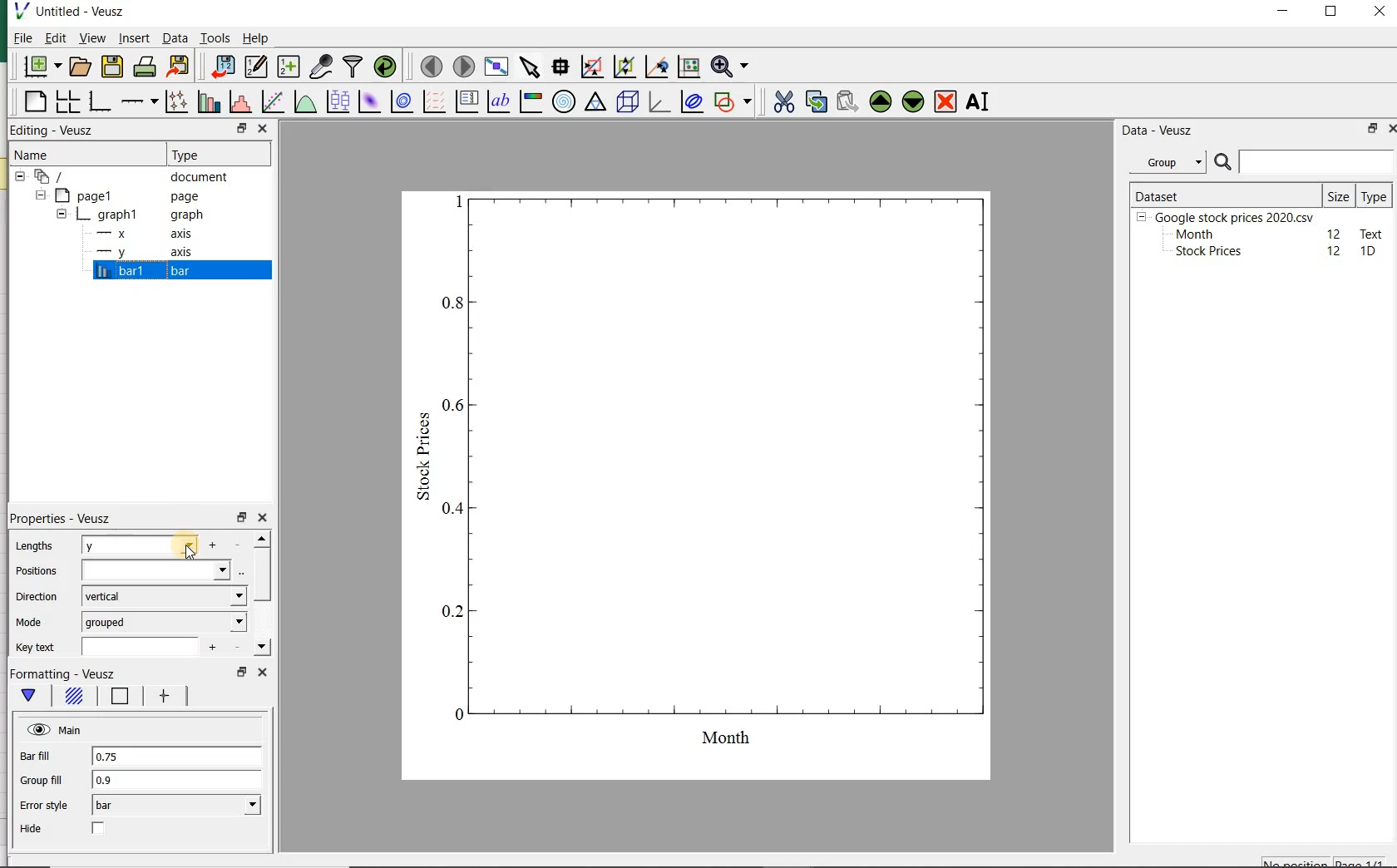  What do you see at coordinates (41, 780) in the screenshot?
I see `Group fill` at bounding box center [41, 780].